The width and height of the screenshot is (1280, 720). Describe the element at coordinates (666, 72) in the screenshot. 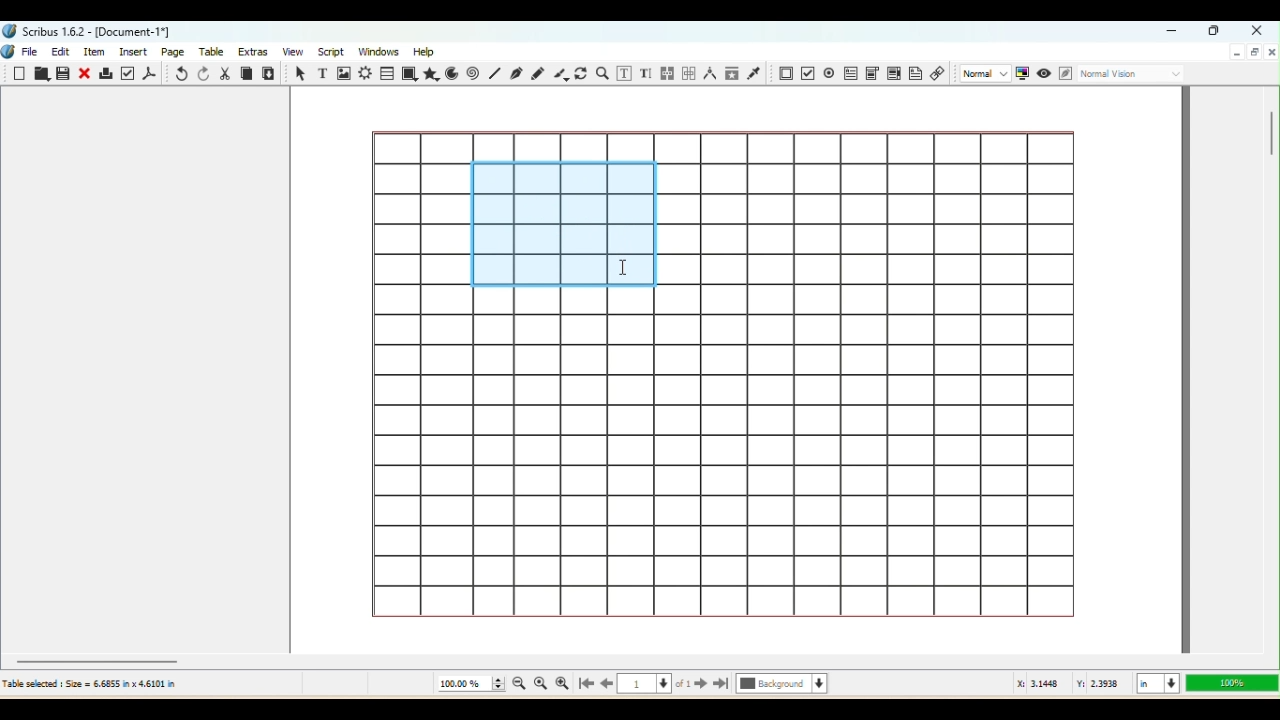

I see `Link text frames` at that location.